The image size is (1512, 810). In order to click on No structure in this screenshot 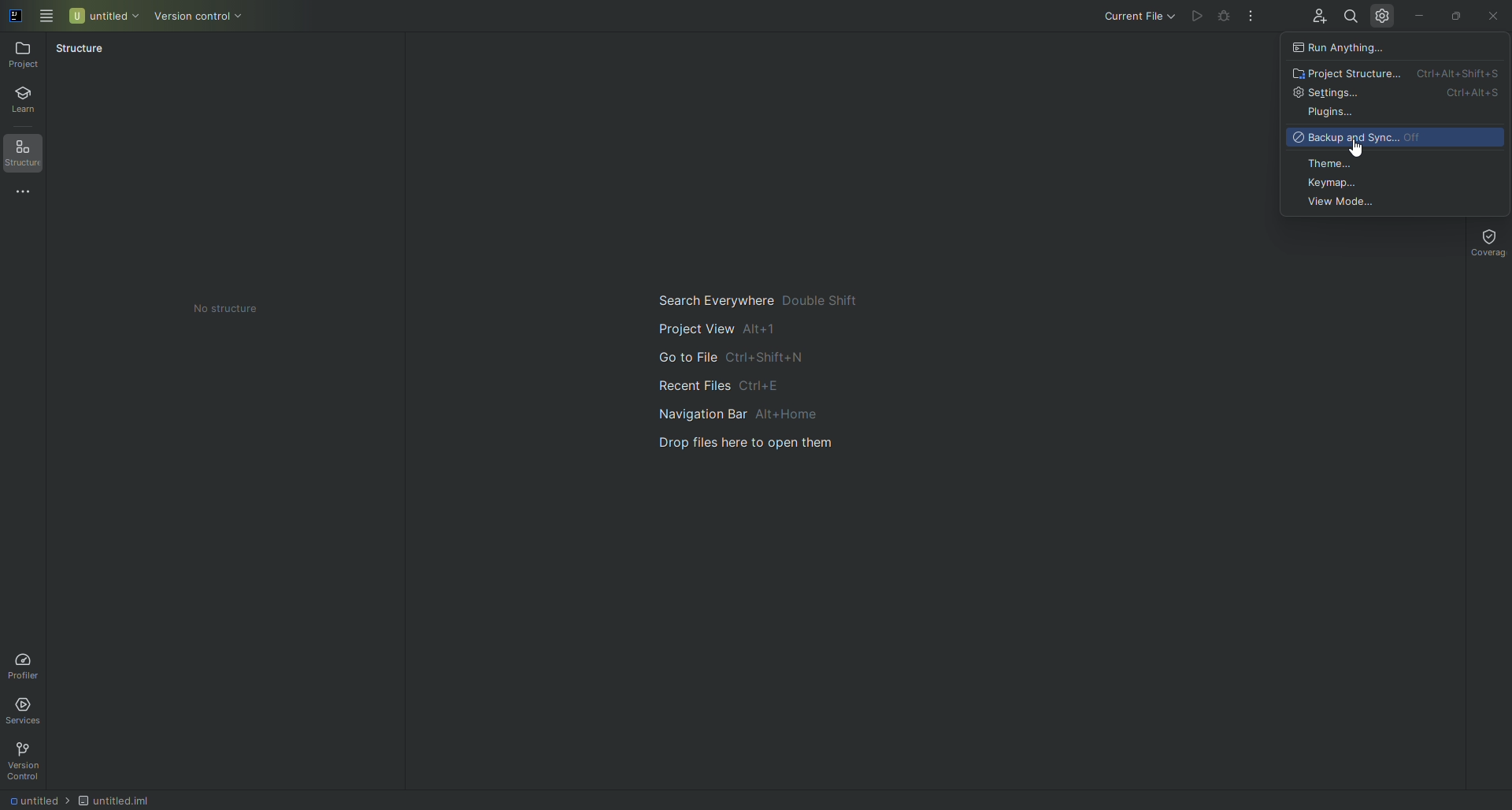, I will do `click(239, 309)`.